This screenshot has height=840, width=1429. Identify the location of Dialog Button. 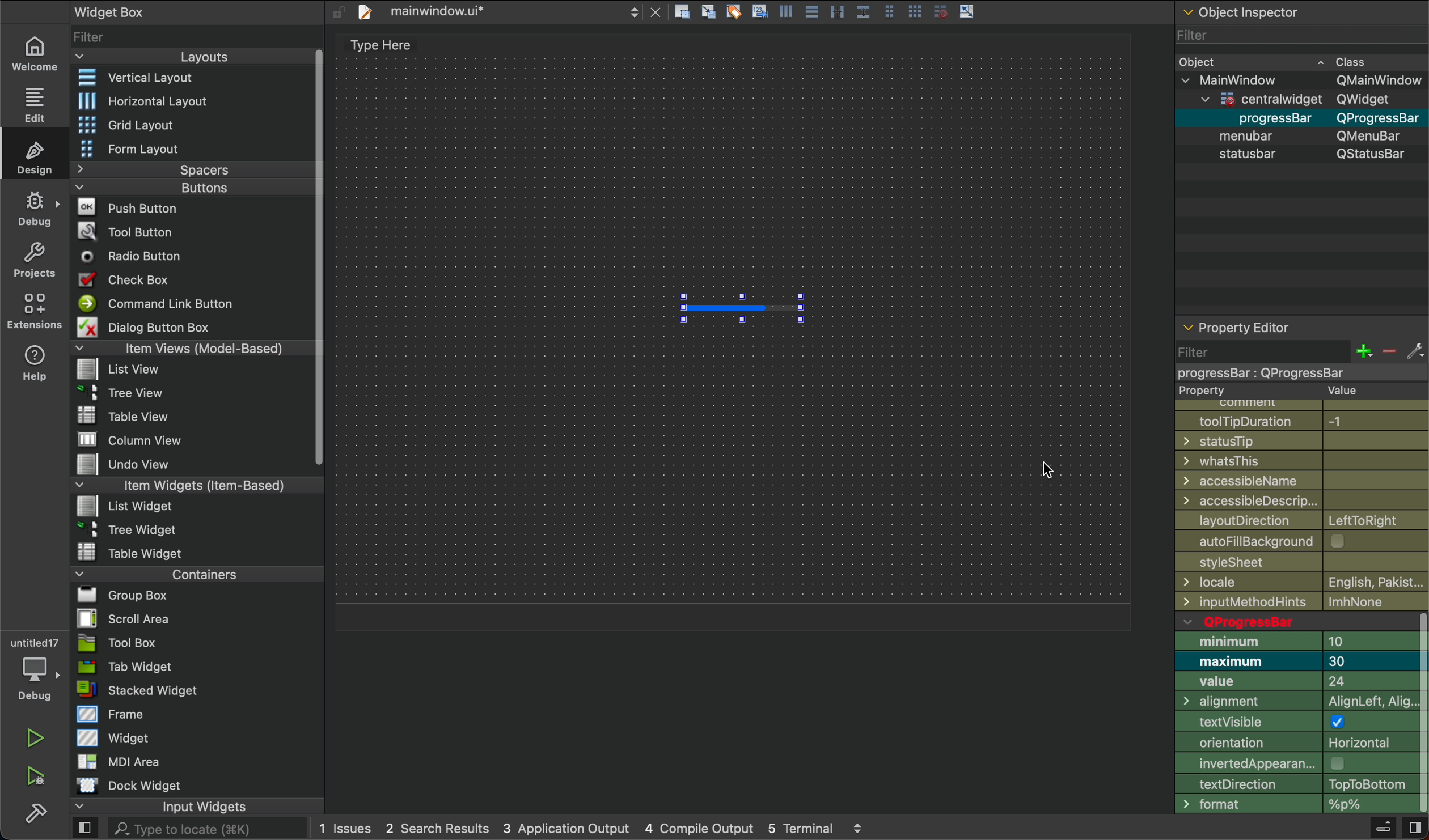
(157, 326).